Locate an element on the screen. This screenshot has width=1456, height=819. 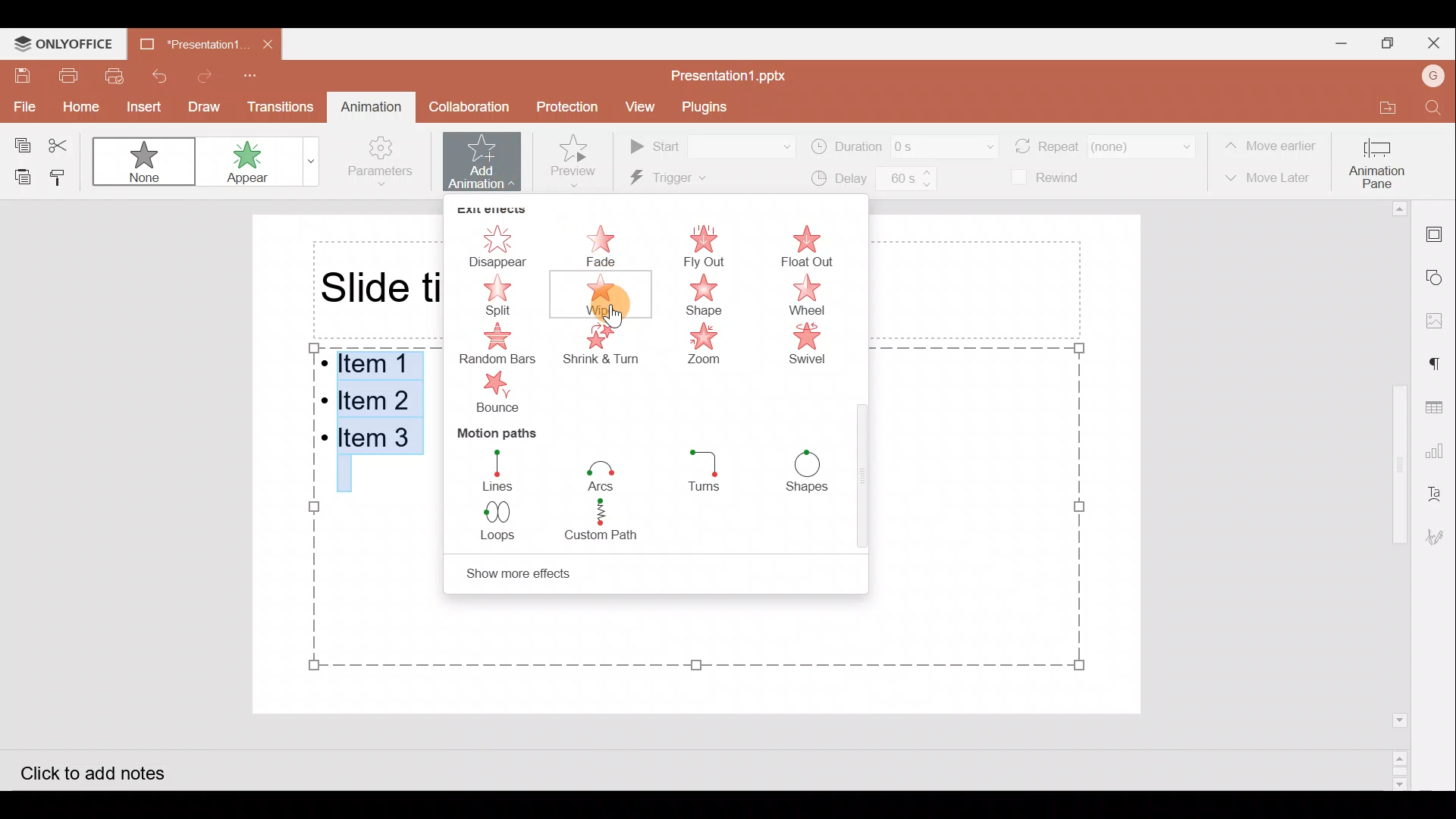
Loops is located at coordinates (506, 526).